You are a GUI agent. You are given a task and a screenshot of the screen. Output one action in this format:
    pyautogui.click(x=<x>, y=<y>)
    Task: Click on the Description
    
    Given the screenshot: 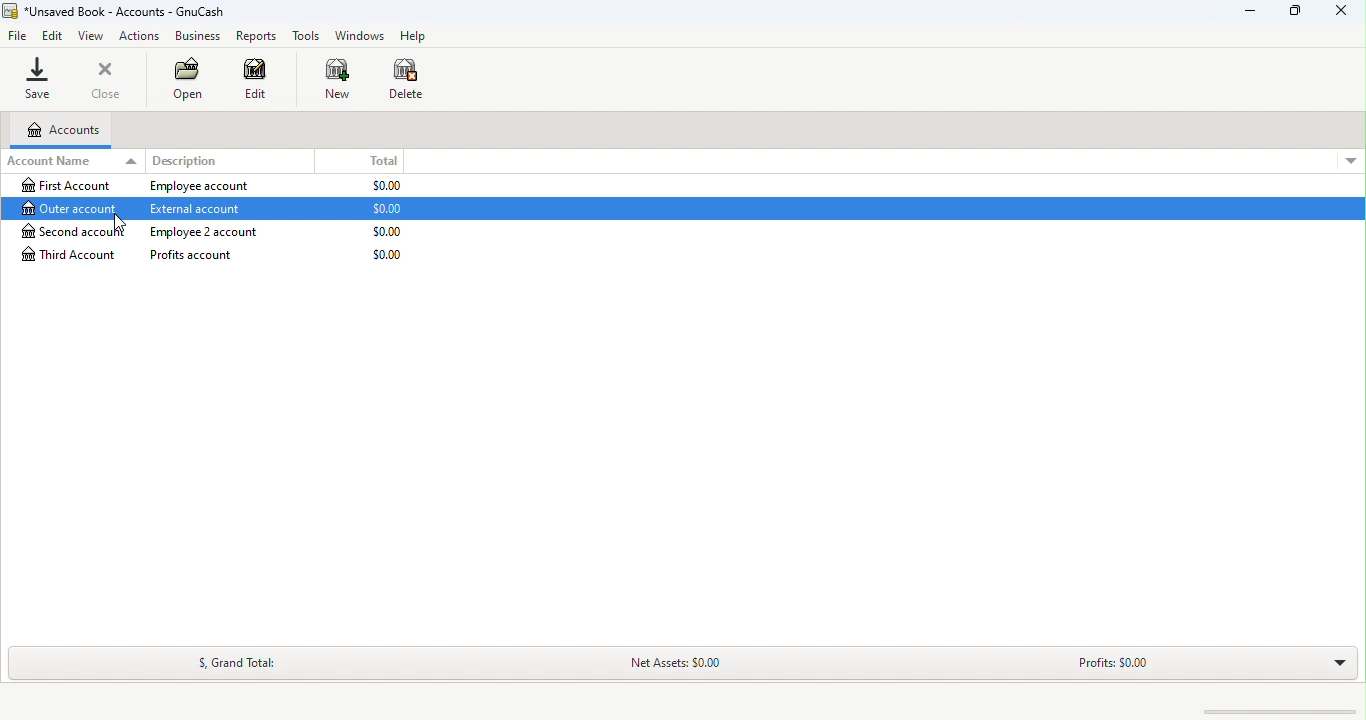 What is the action you would take?
    pyautogui.click(x=186, y=160)
    